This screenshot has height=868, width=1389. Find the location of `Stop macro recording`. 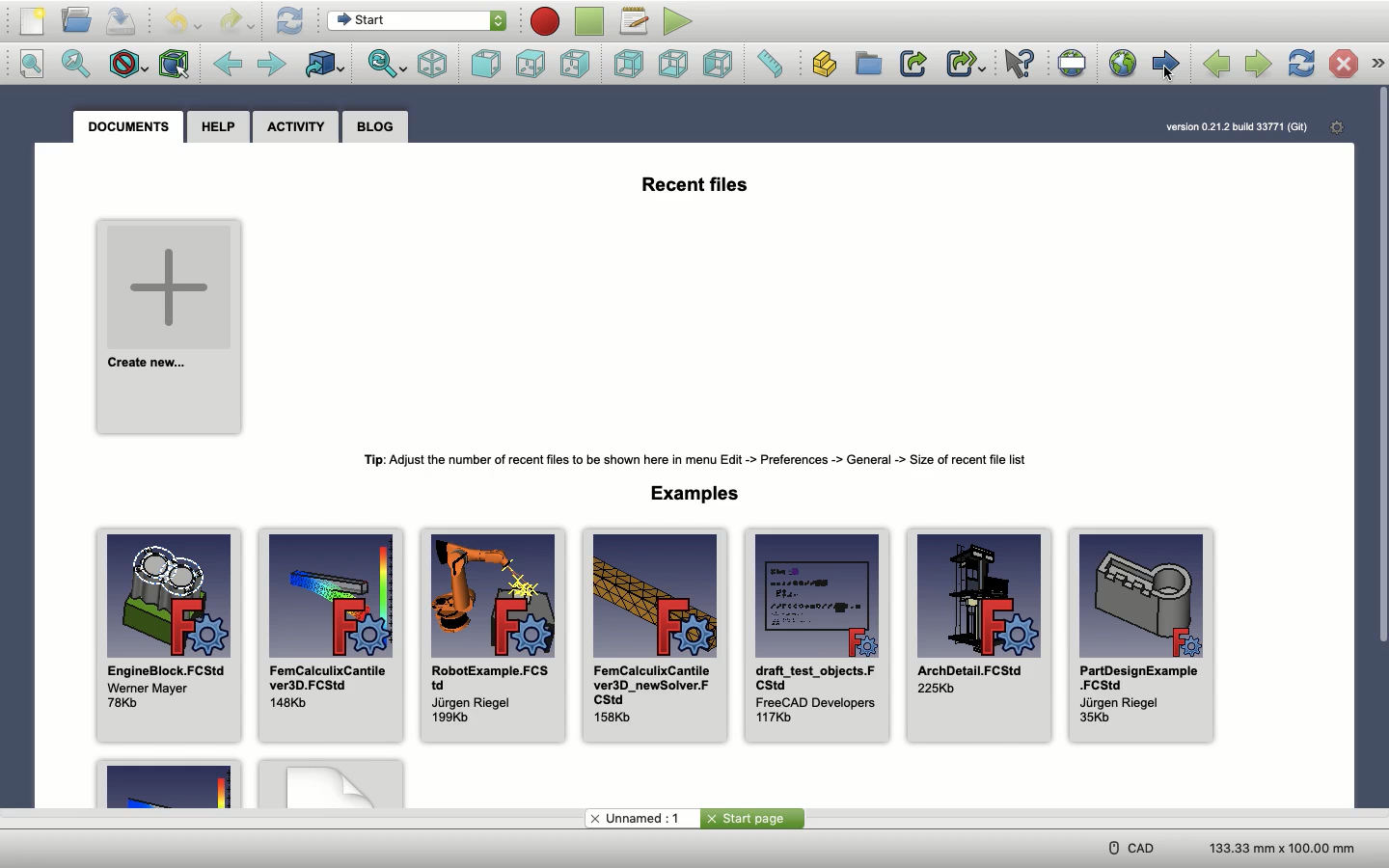

Stop macro recording is located at coordinates (591, 21).